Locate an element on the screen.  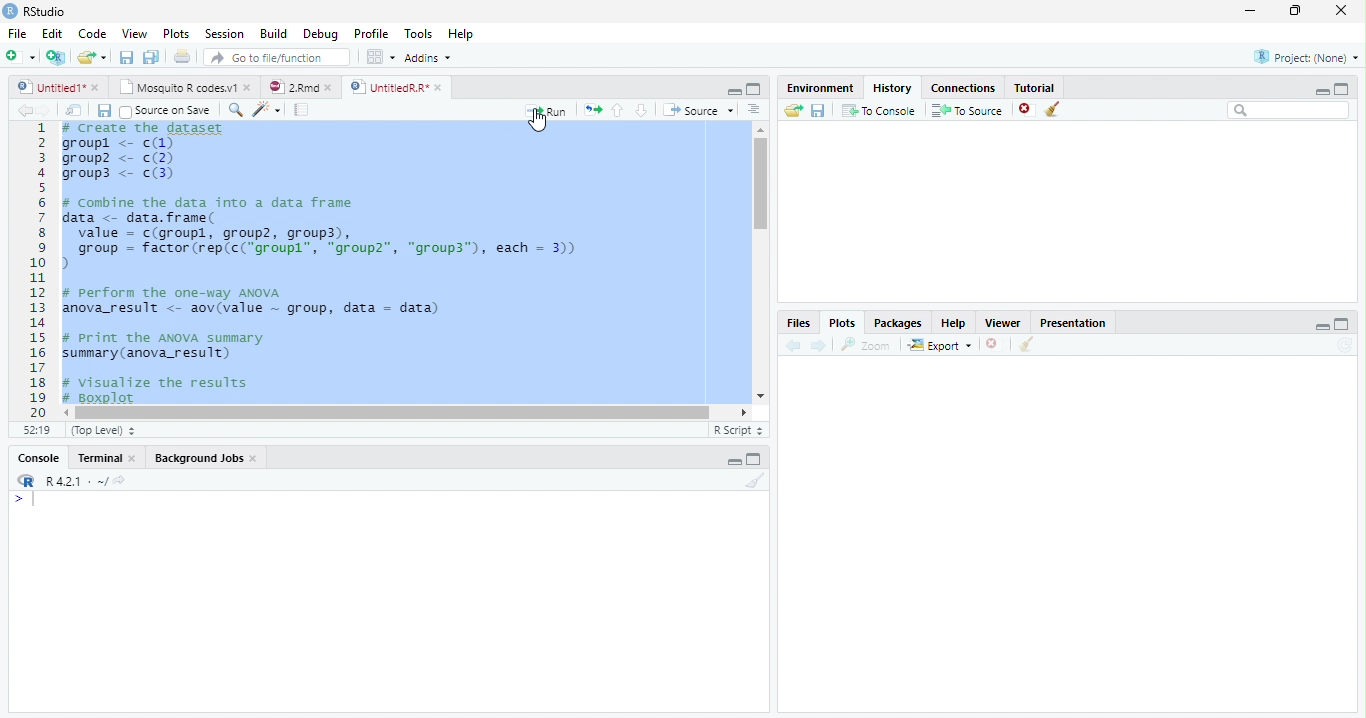
Mosquito R codes is located at coordinates (184, 87).